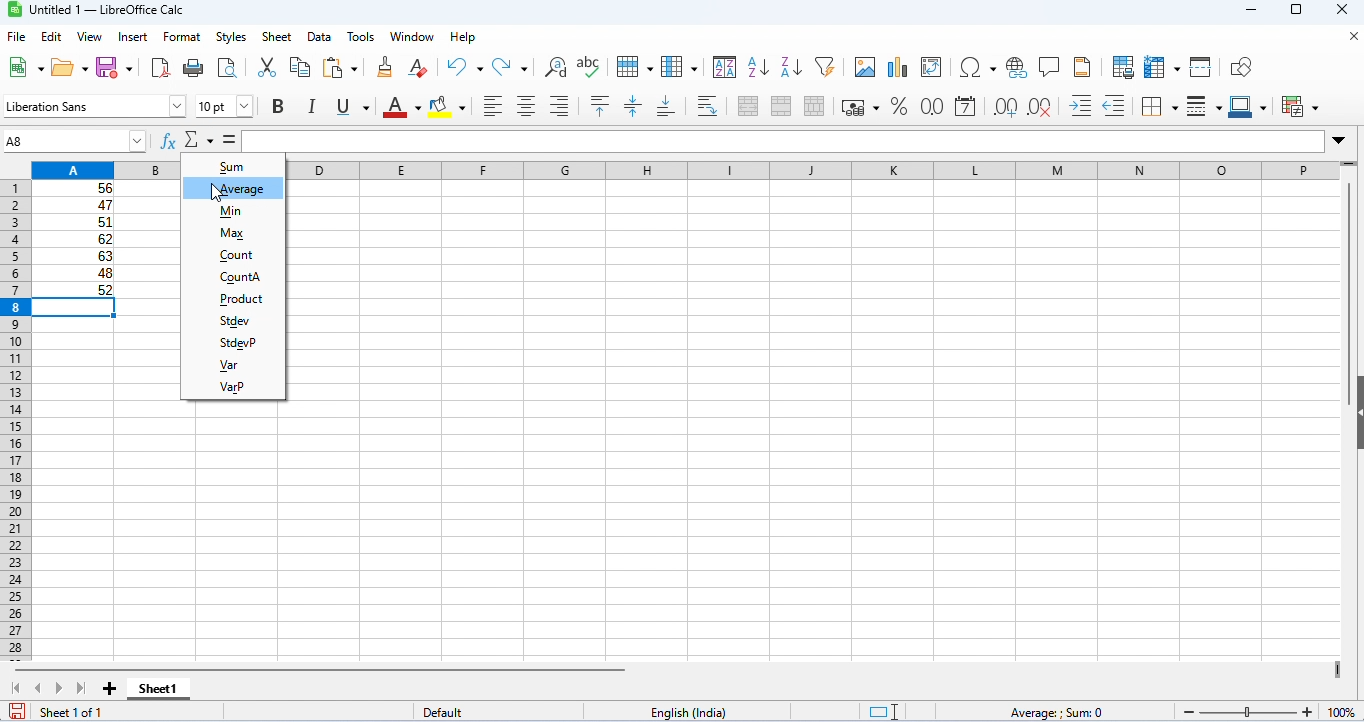 The width and height of the screenshot is (1364, 722). Describe the element at coordinates (1349, 269) in the screenshot. I see `vertical scroll bar` at that location.